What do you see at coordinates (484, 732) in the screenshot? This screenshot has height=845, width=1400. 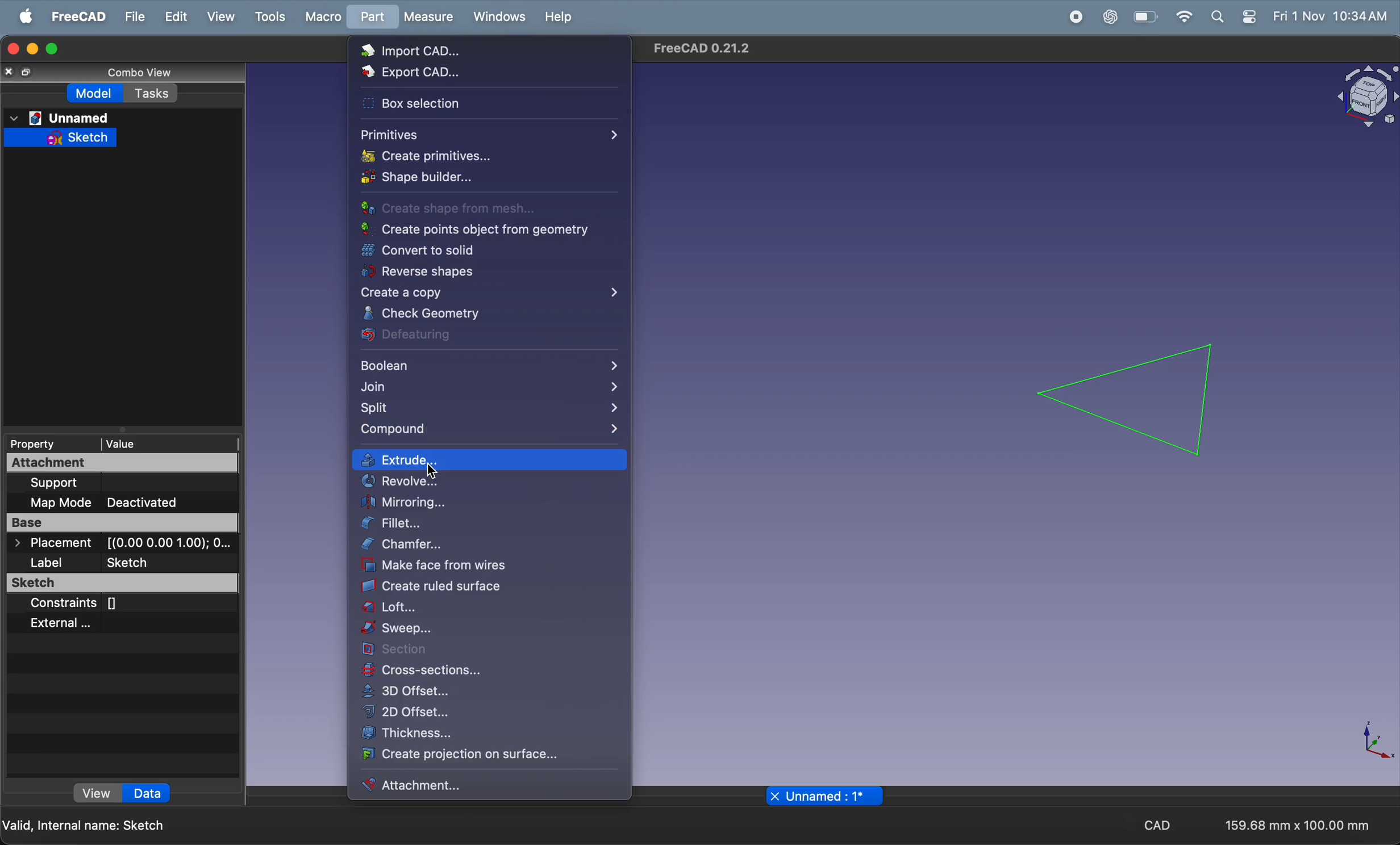 I see `thickness` at bounding box center [484, 732].